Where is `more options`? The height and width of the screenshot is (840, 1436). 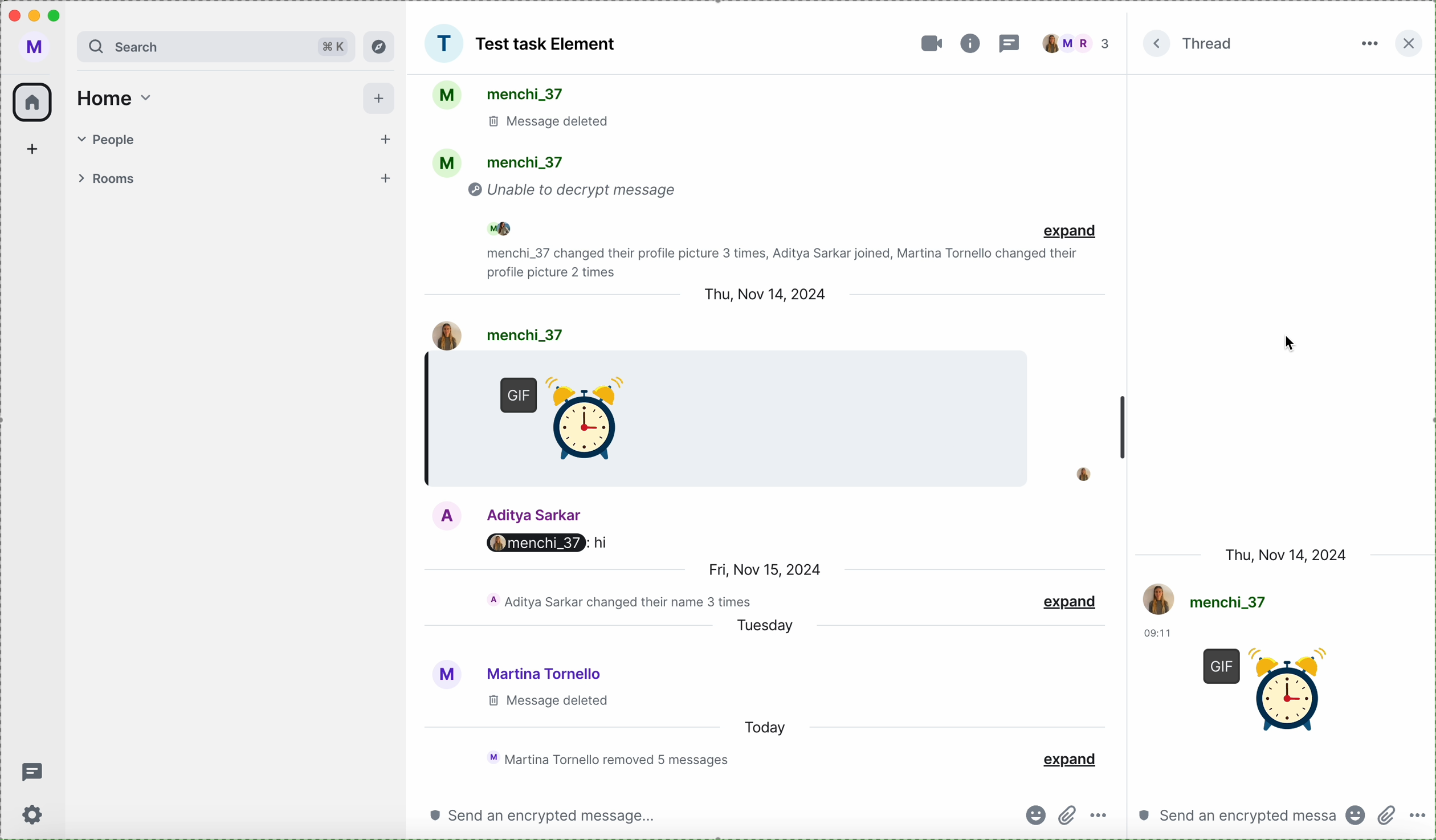
more options is located at coordinates (1368, 44).